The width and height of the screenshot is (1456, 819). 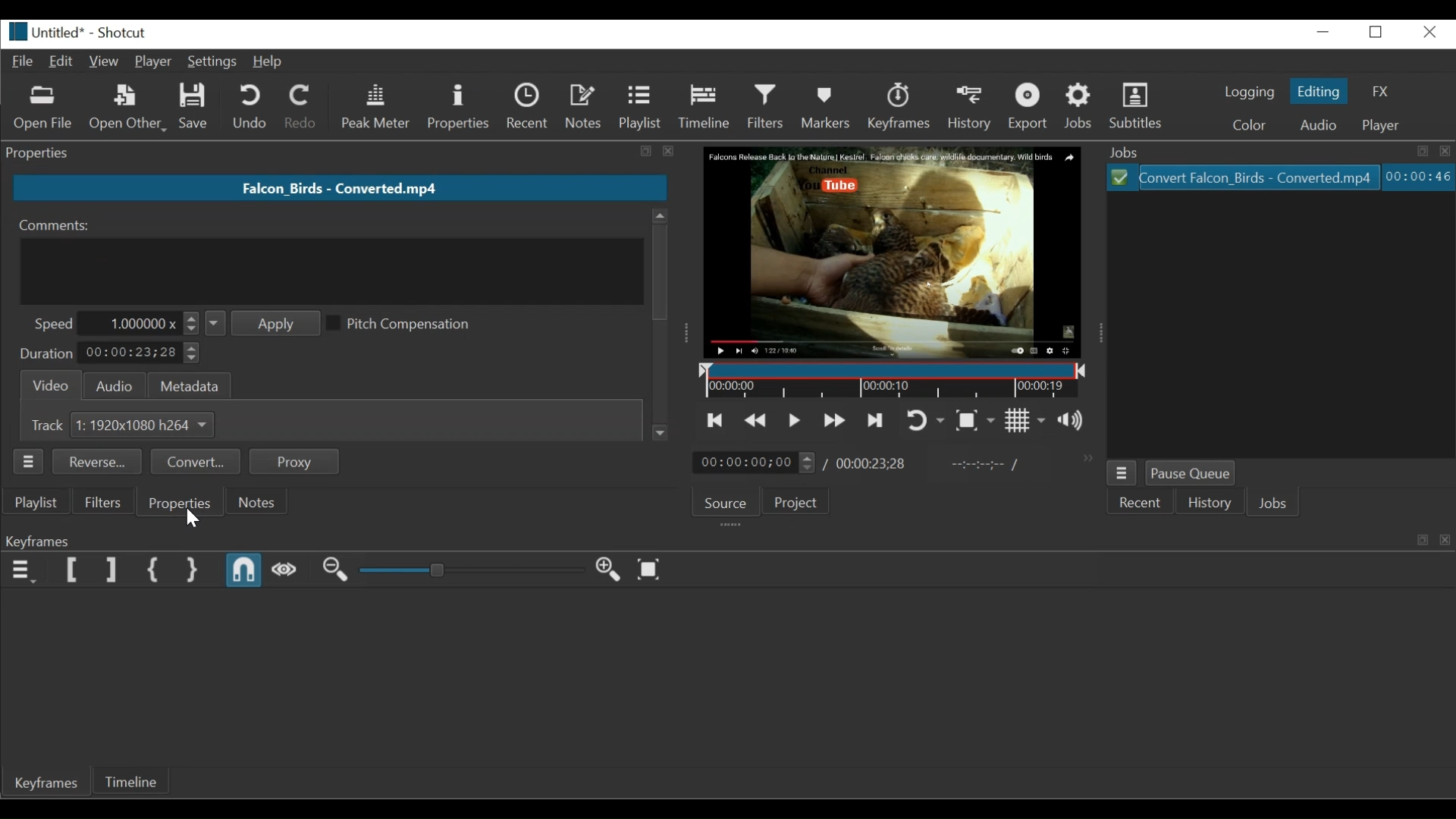 I want to click on Jobs, so click(x=1081, y=108).